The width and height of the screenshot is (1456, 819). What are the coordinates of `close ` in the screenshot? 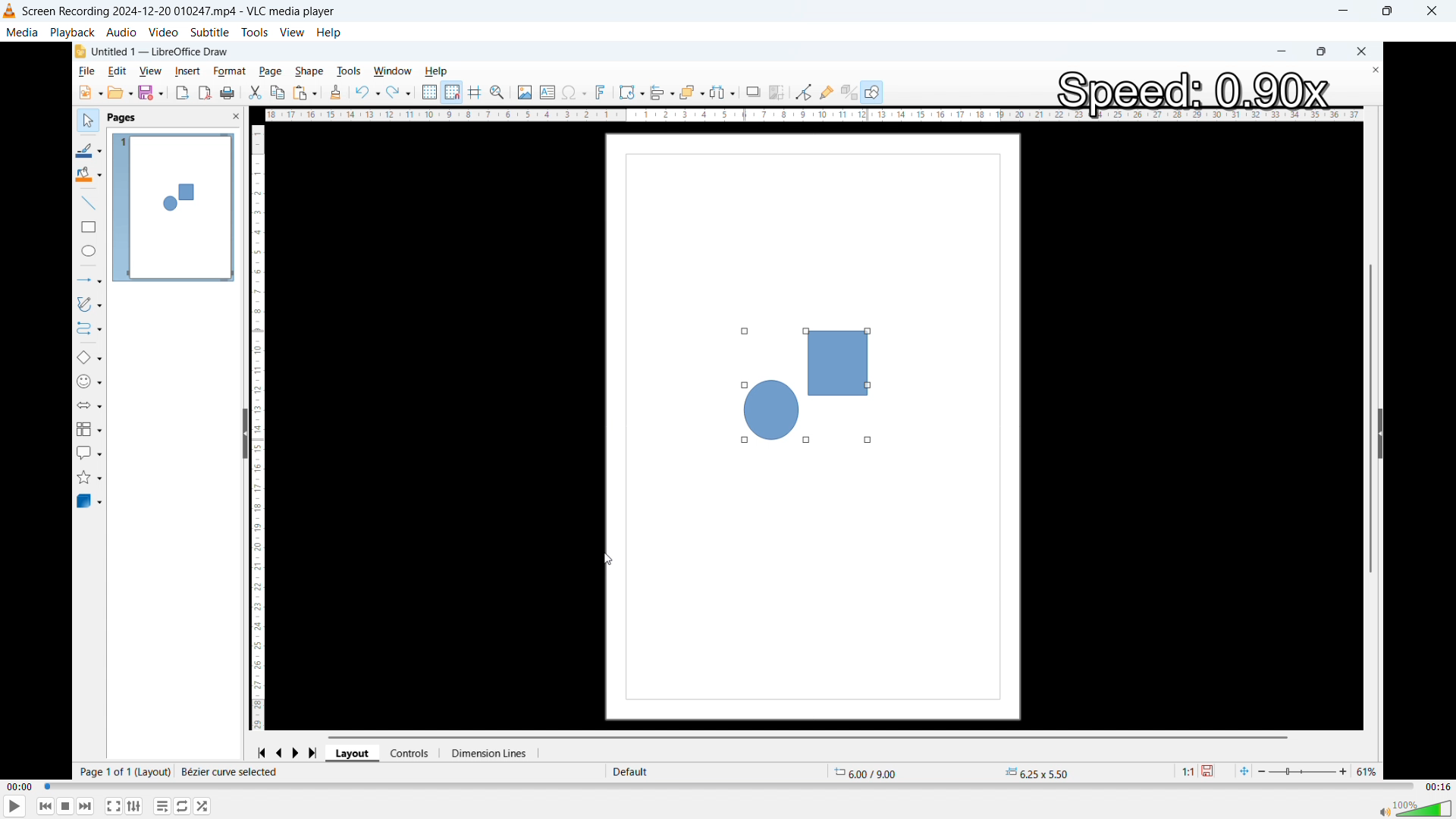 It's located at (1432, 11).